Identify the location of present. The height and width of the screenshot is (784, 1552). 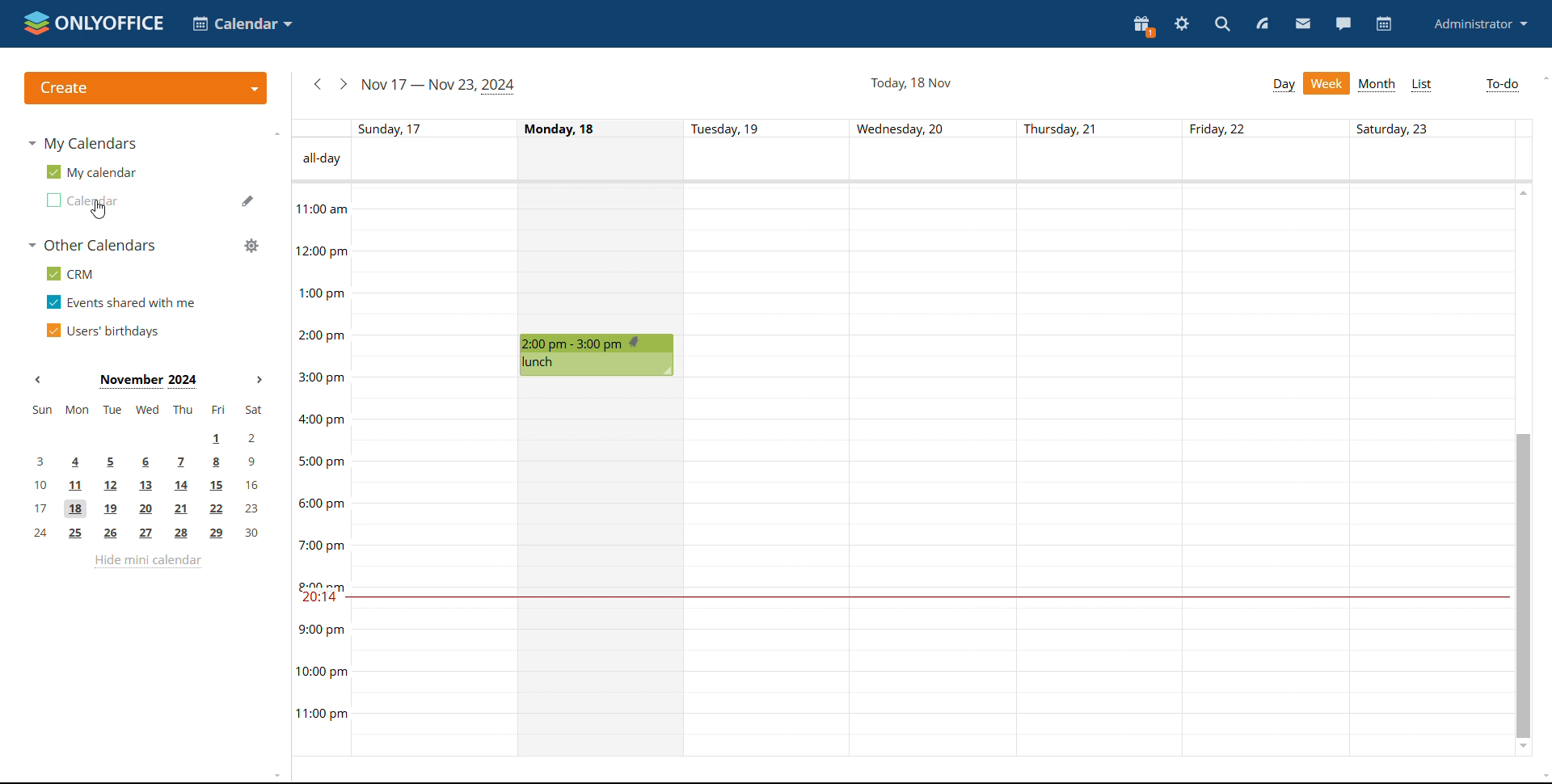
(1143, 27).